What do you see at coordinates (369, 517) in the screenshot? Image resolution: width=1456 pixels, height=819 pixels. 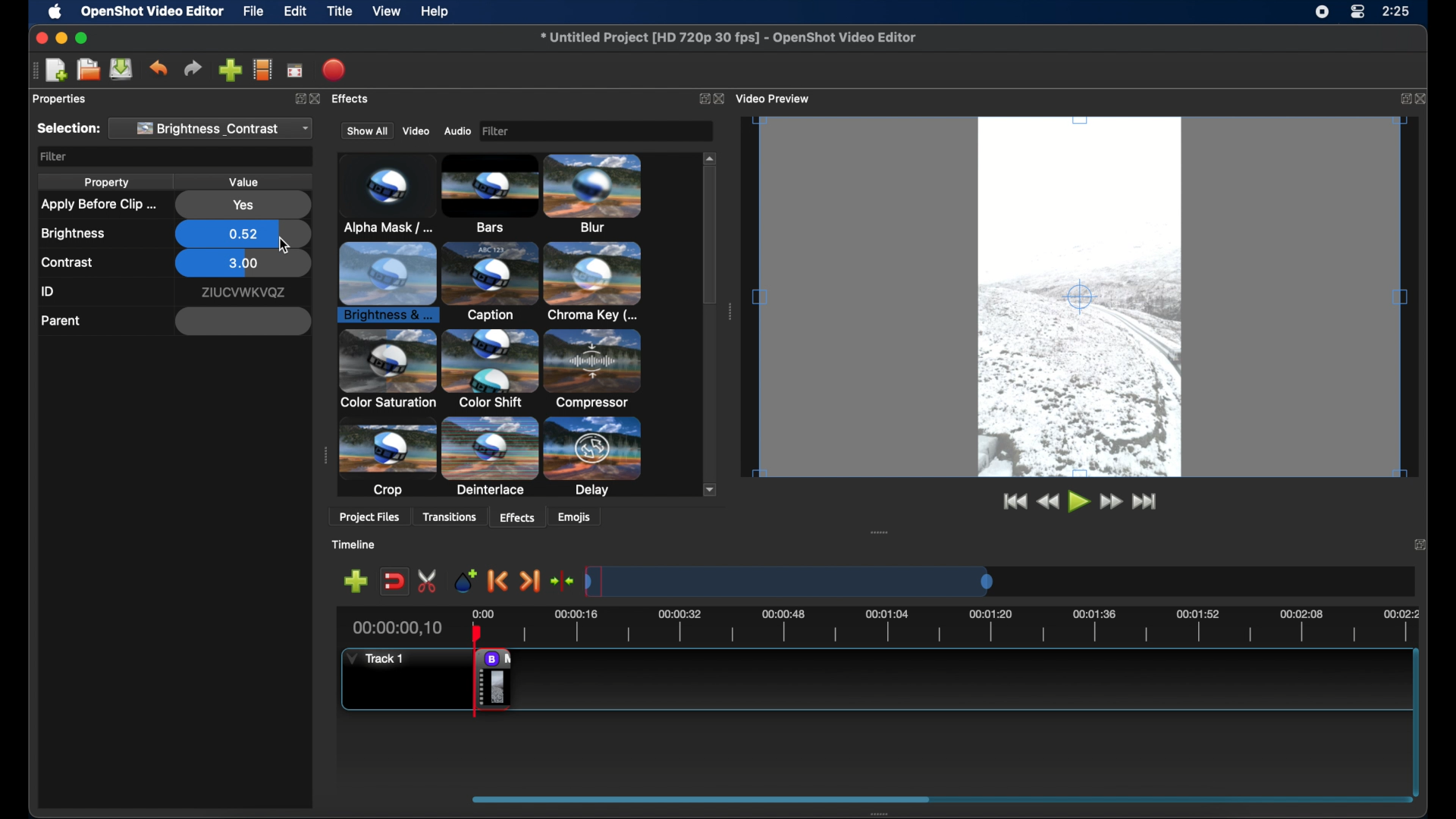 I see `project files` at bounding box center [369, 517].